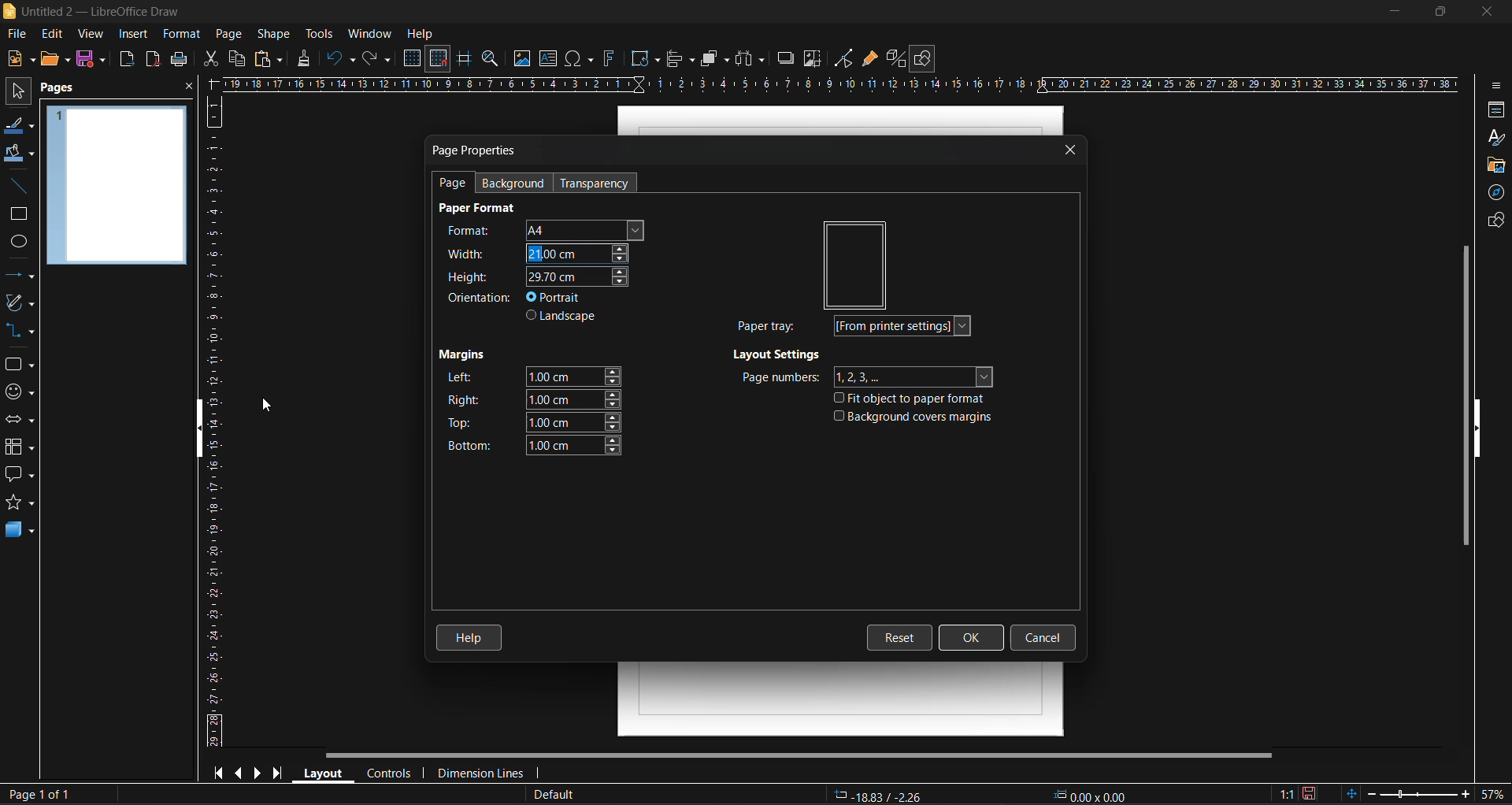 The height and width of the screenshot is (805, 1512). I want to click on insert line, so click(16, 187).